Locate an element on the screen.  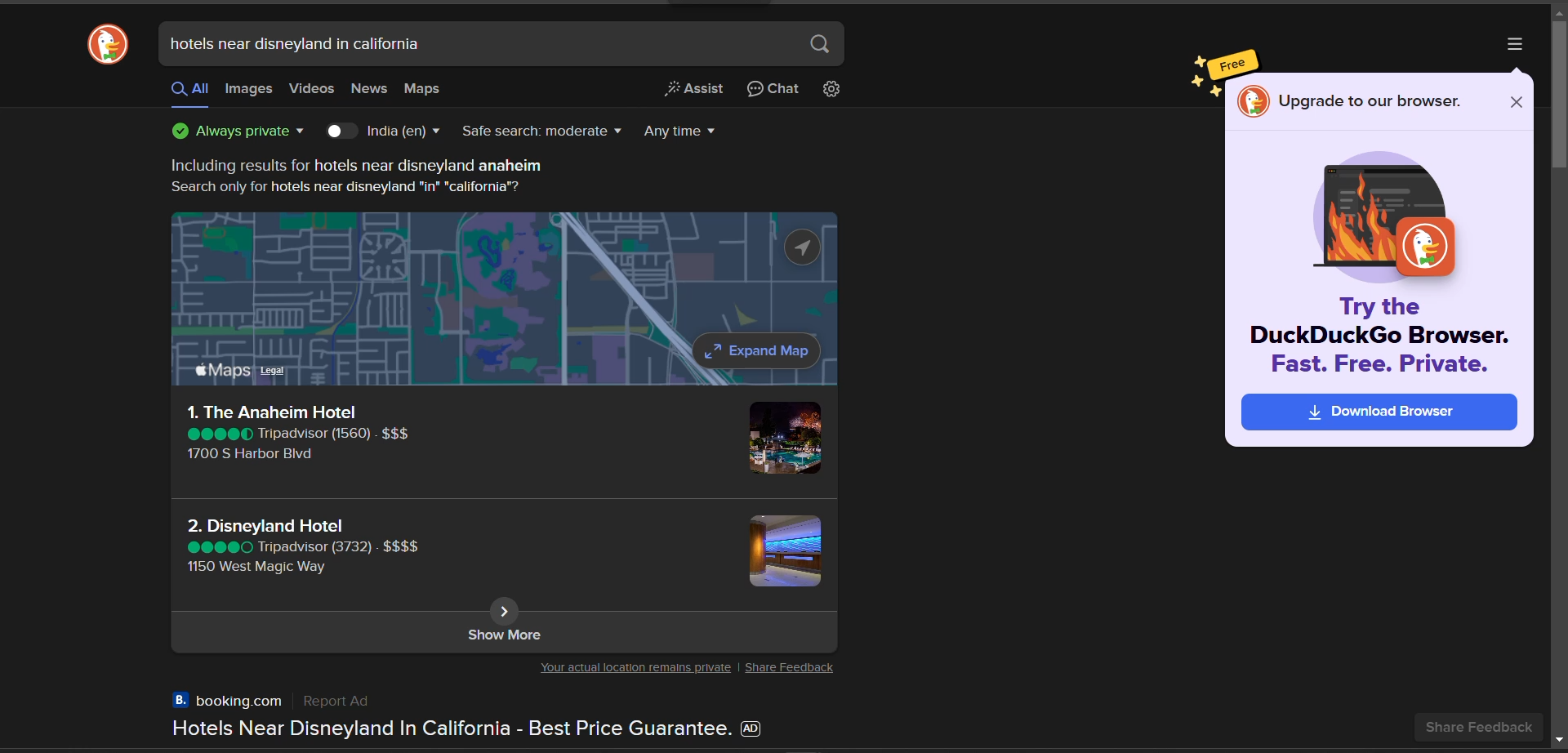
metadata is located at coordinates (633, 670).